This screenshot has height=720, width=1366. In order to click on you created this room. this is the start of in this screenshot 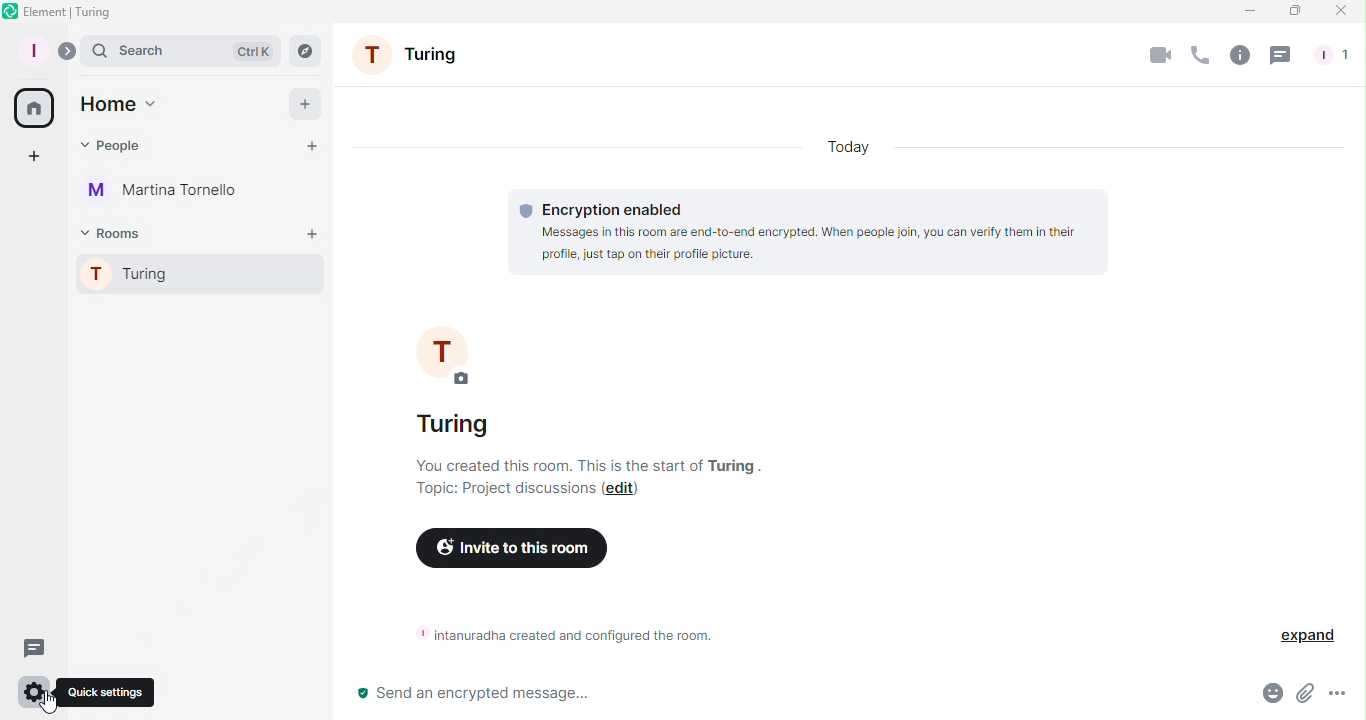, I will do `click(551, 463)`.